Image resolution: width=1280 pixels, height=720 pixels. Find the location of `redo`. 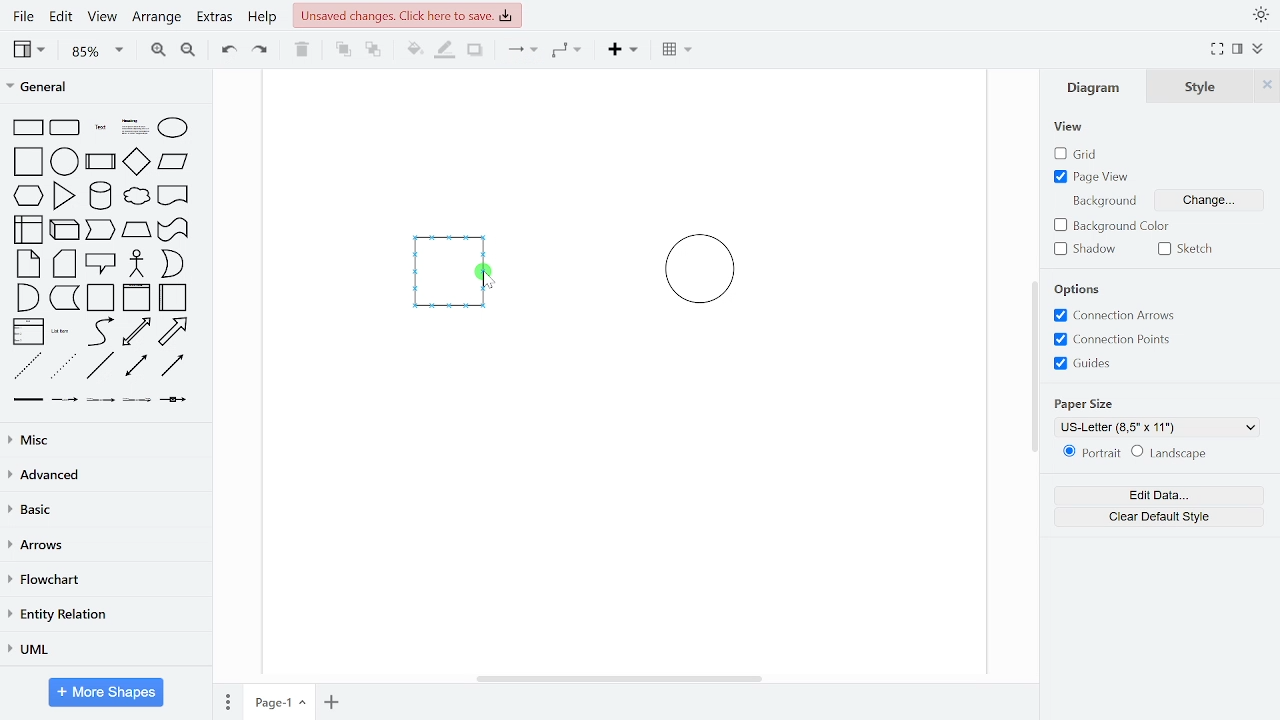

redo is located at coordinates (261, 49).